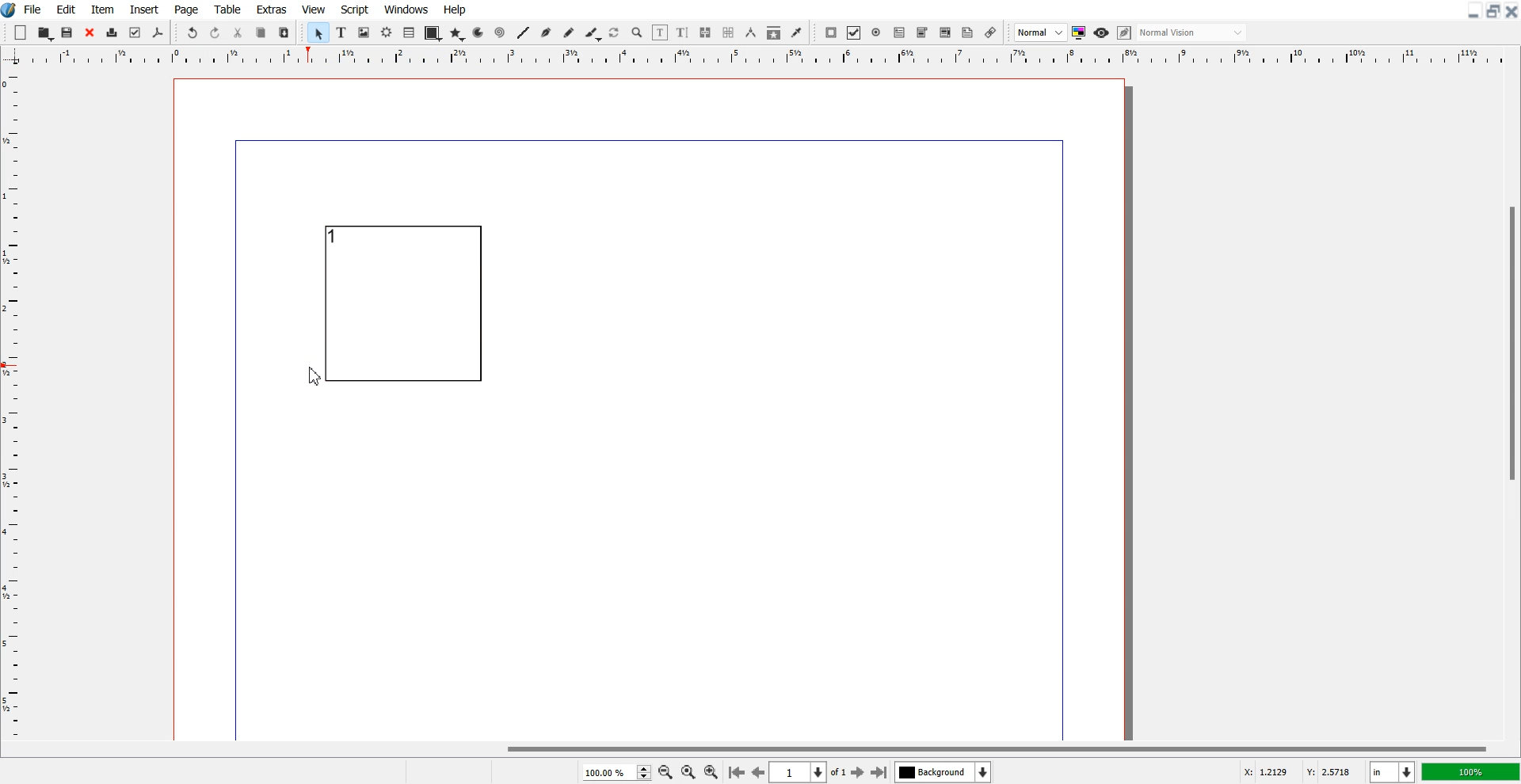  I want to click on Go to previous Page, so click(759, 771).